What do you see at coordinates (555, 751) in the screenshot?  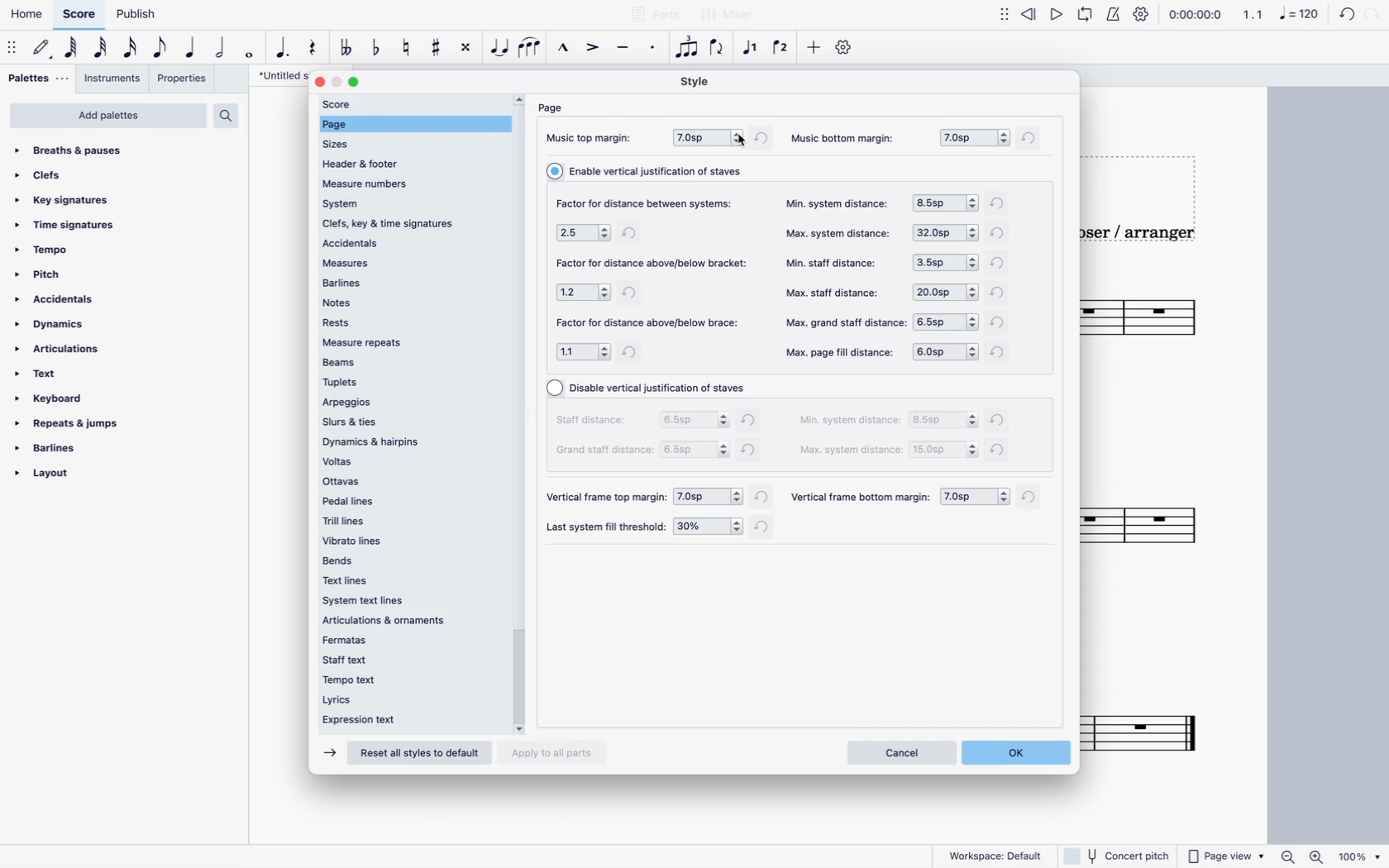 I see `apply to all parts` at bounding box center [555, 751].